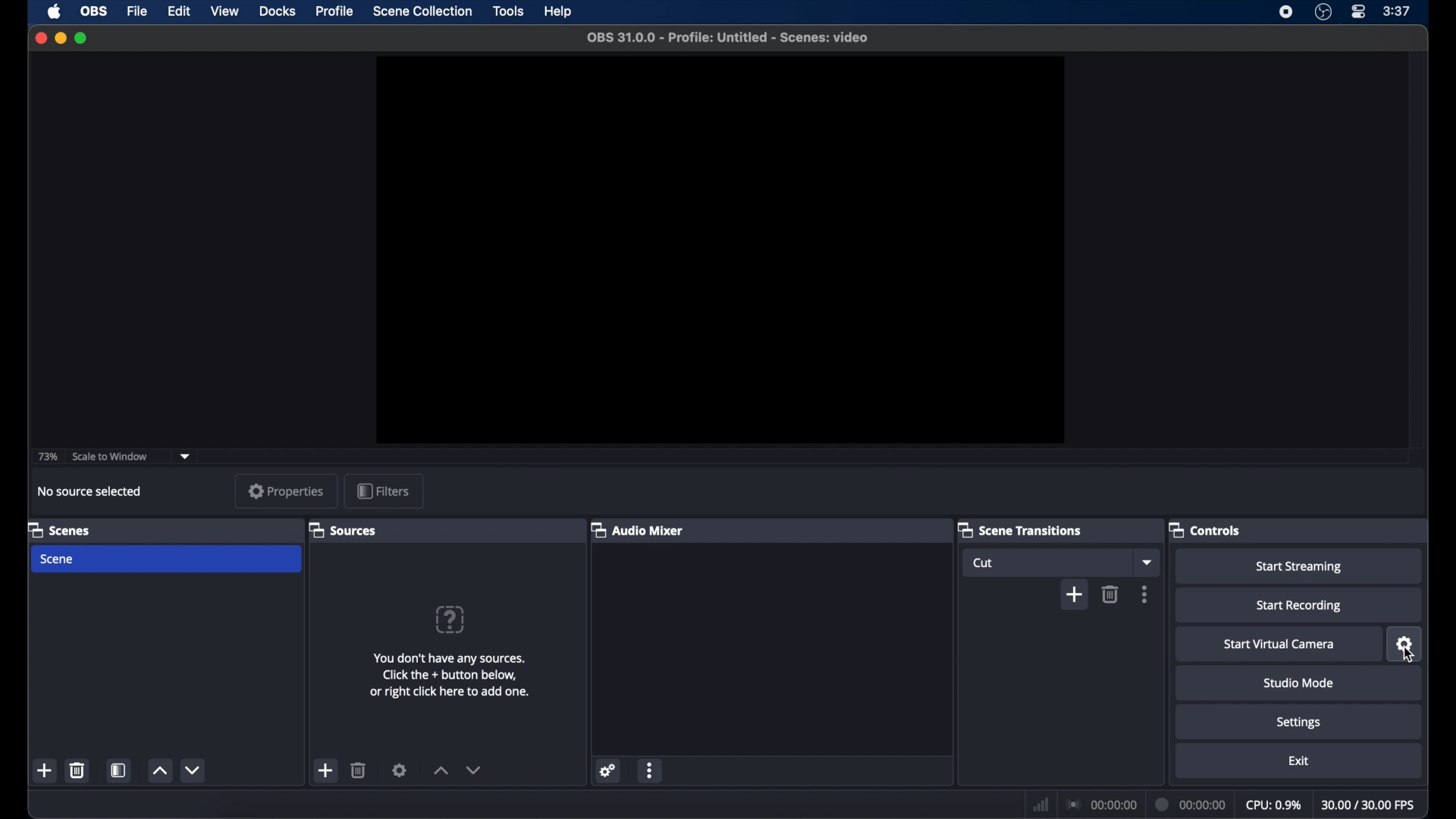  What do you see at coordinates (1407, 656) in the screenshot?
I see `Cursor` at bounding box center [1407, 656].